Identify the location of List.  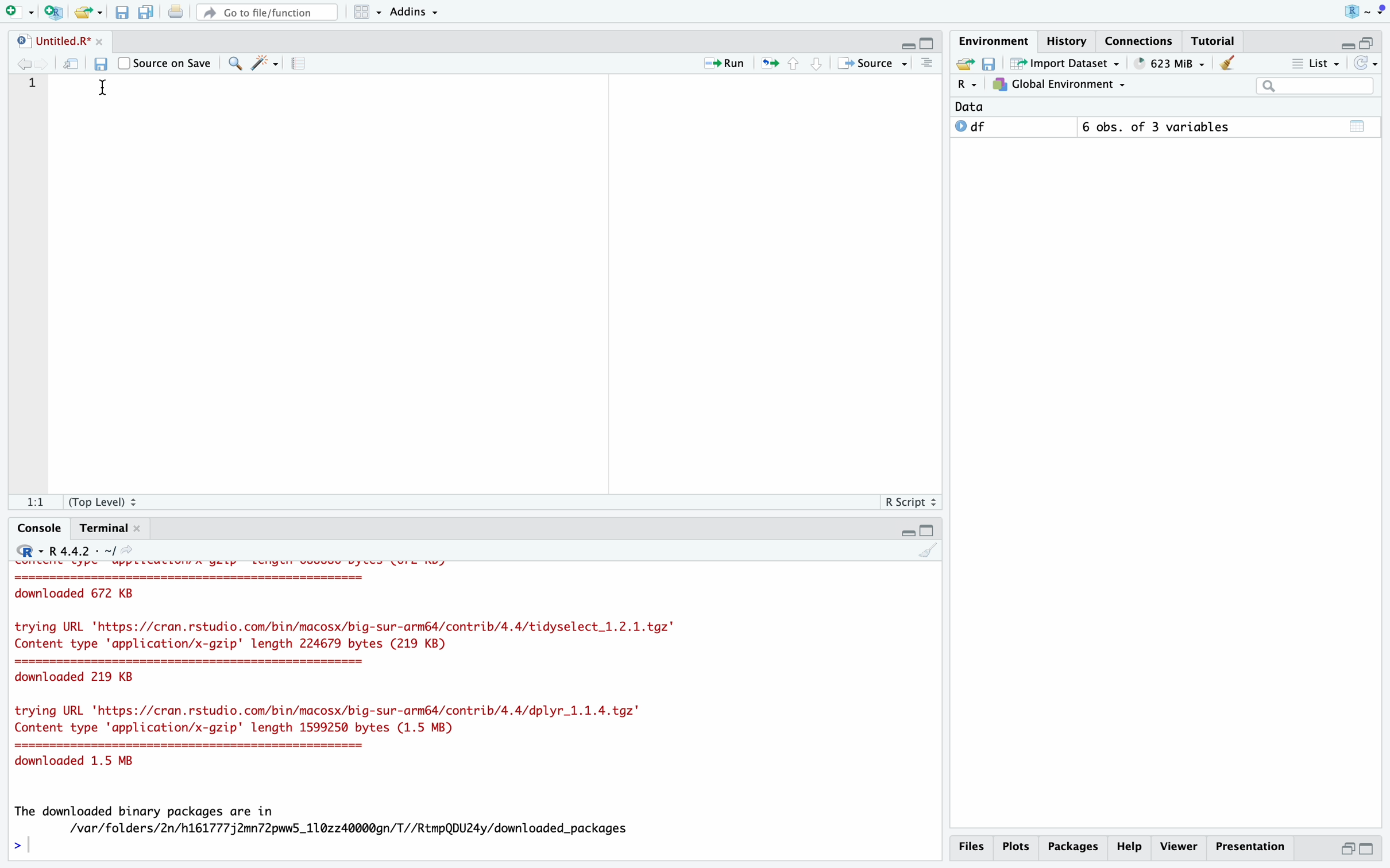
(1315, 63).